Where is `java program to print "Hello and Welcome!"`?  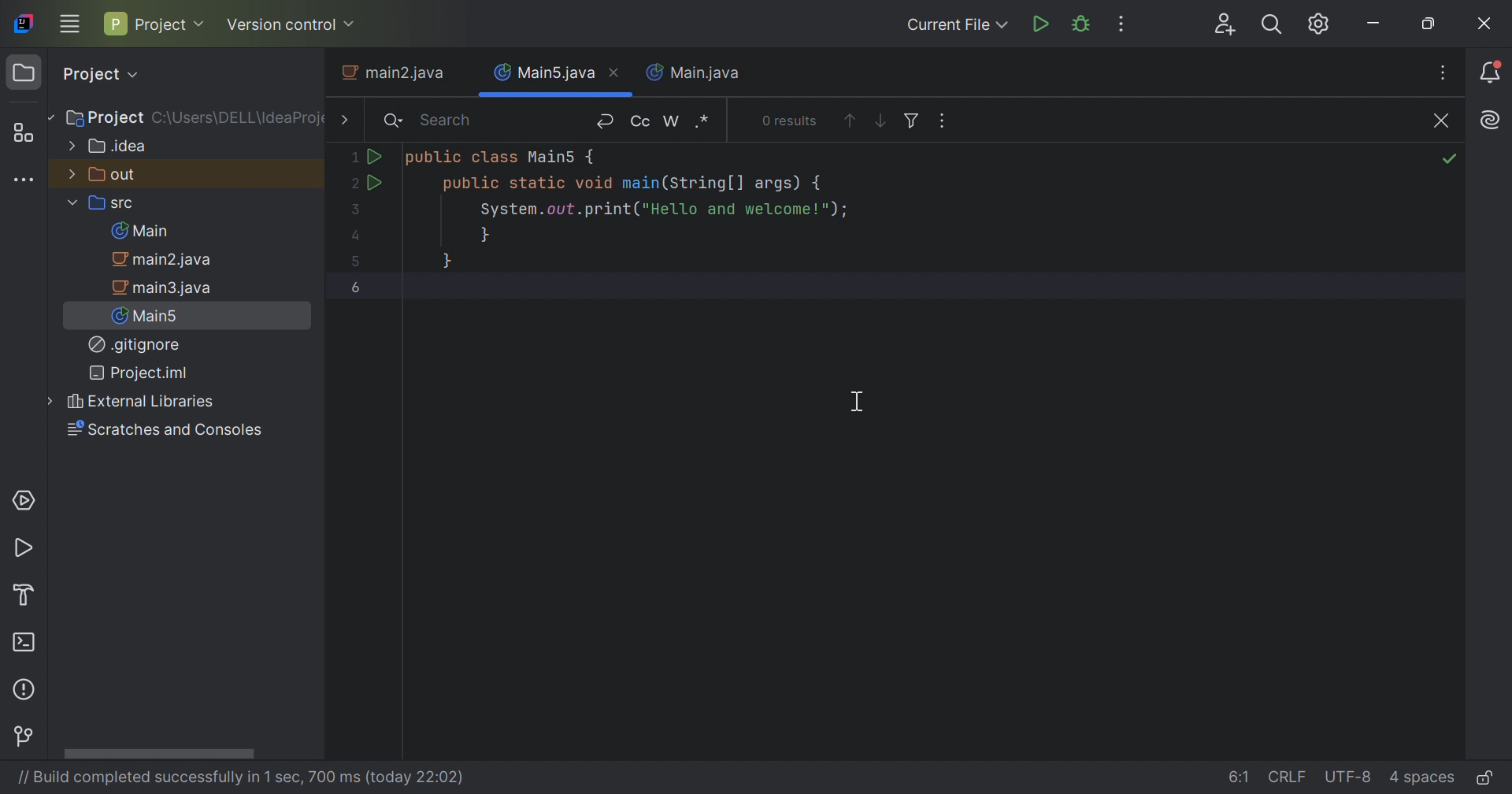
java program to print "Hello and Welcome!" is located at coordinates (627, 211).